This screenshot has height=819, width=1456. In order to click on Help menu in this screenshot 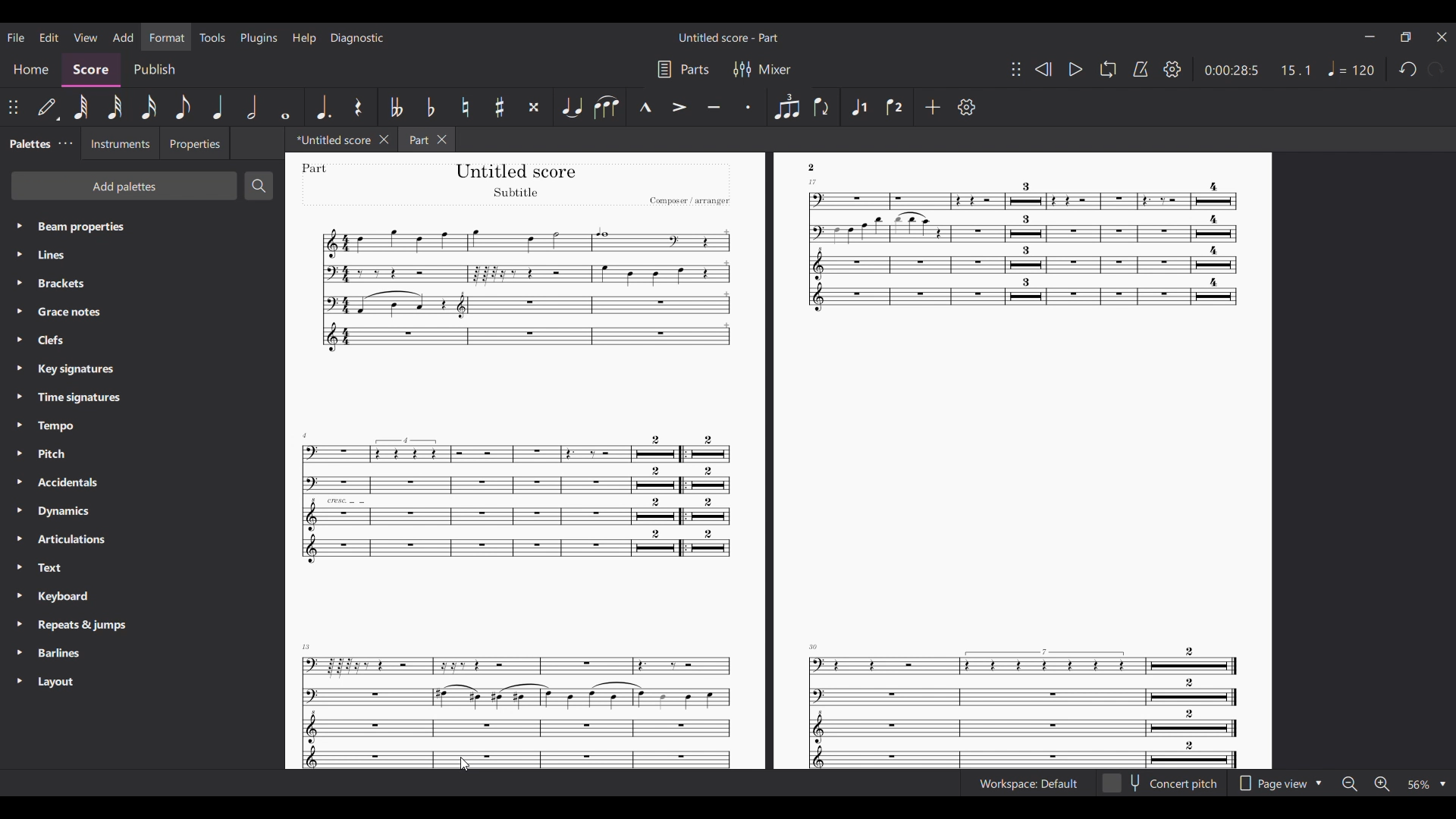, I will do `click(303, 39)`.